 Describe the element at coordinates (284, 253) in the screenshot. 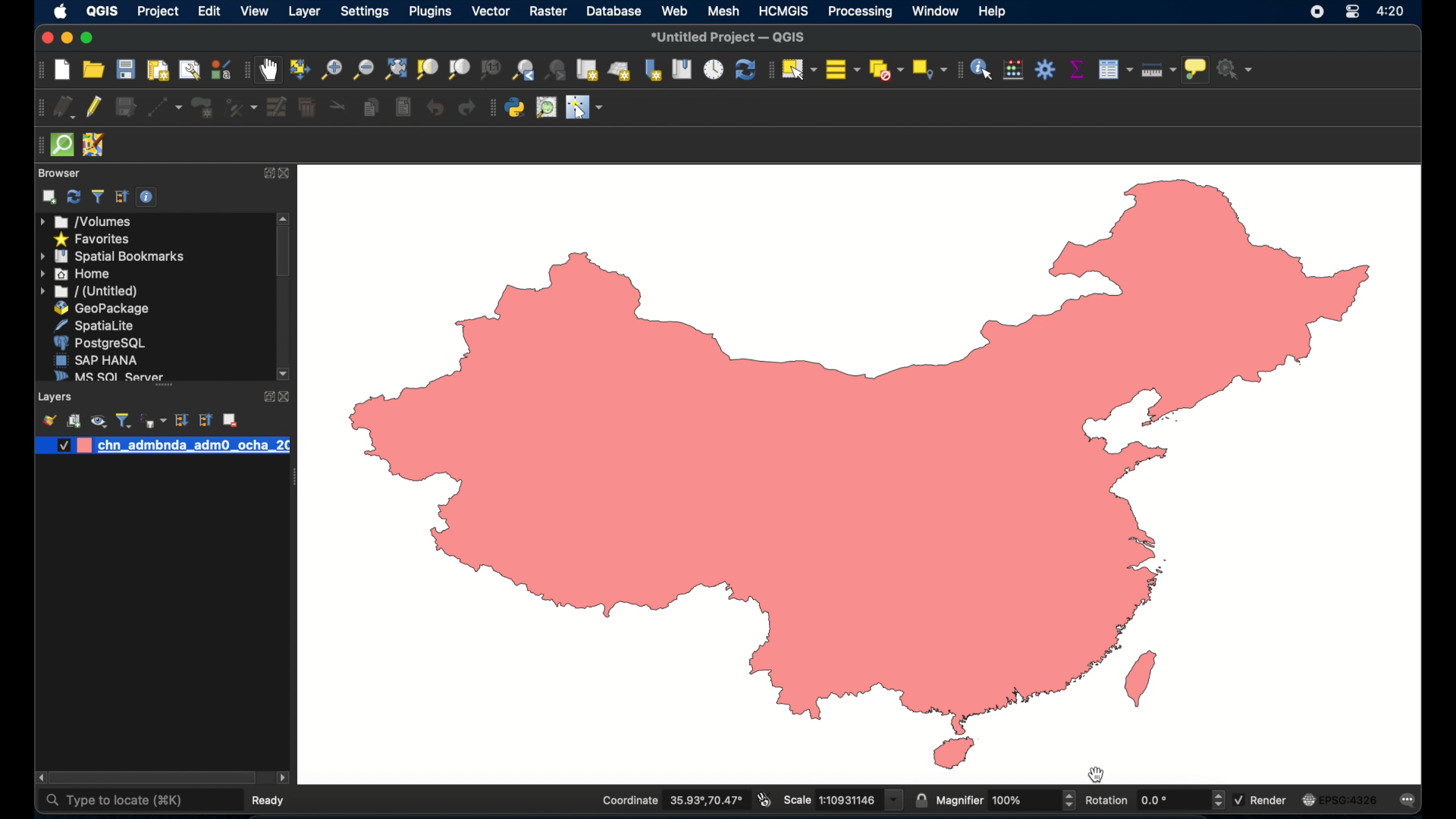

I see `scroll box` at that location.